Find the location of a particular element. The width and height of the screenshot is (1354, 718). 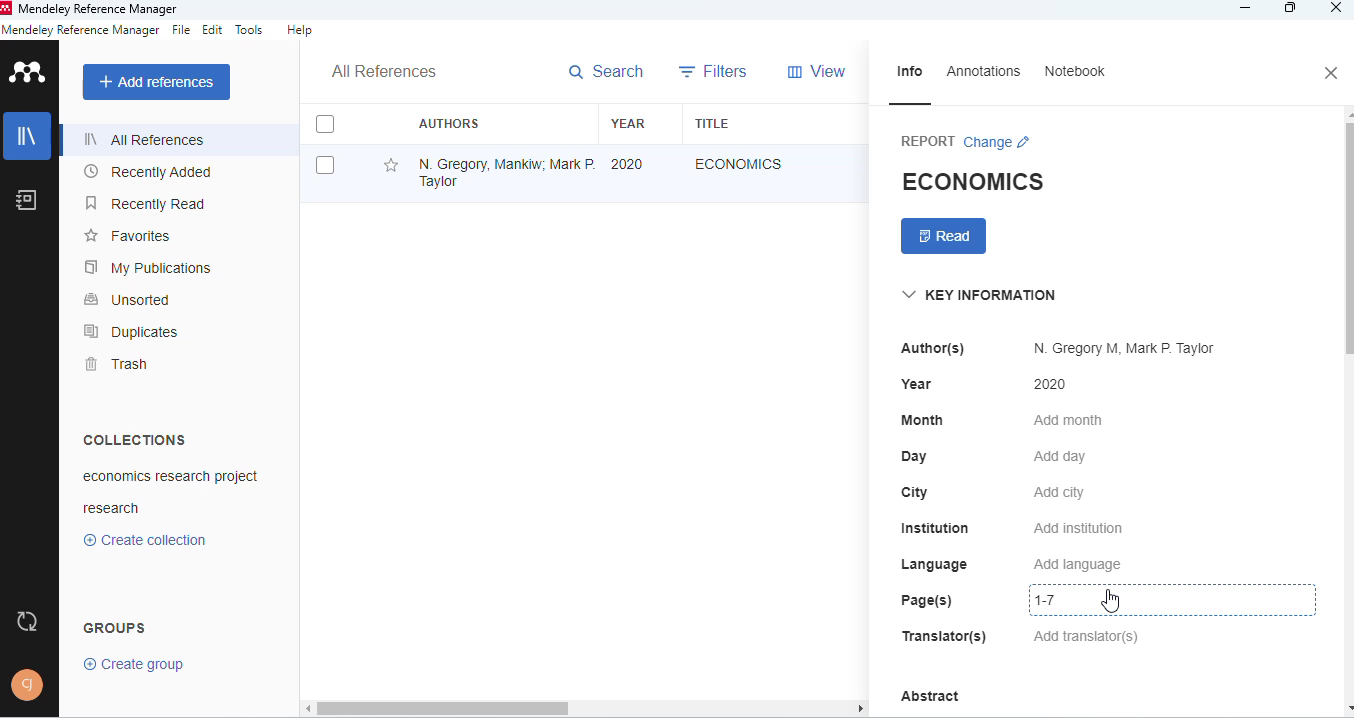

minimize is located at coordinates (1247, 9).